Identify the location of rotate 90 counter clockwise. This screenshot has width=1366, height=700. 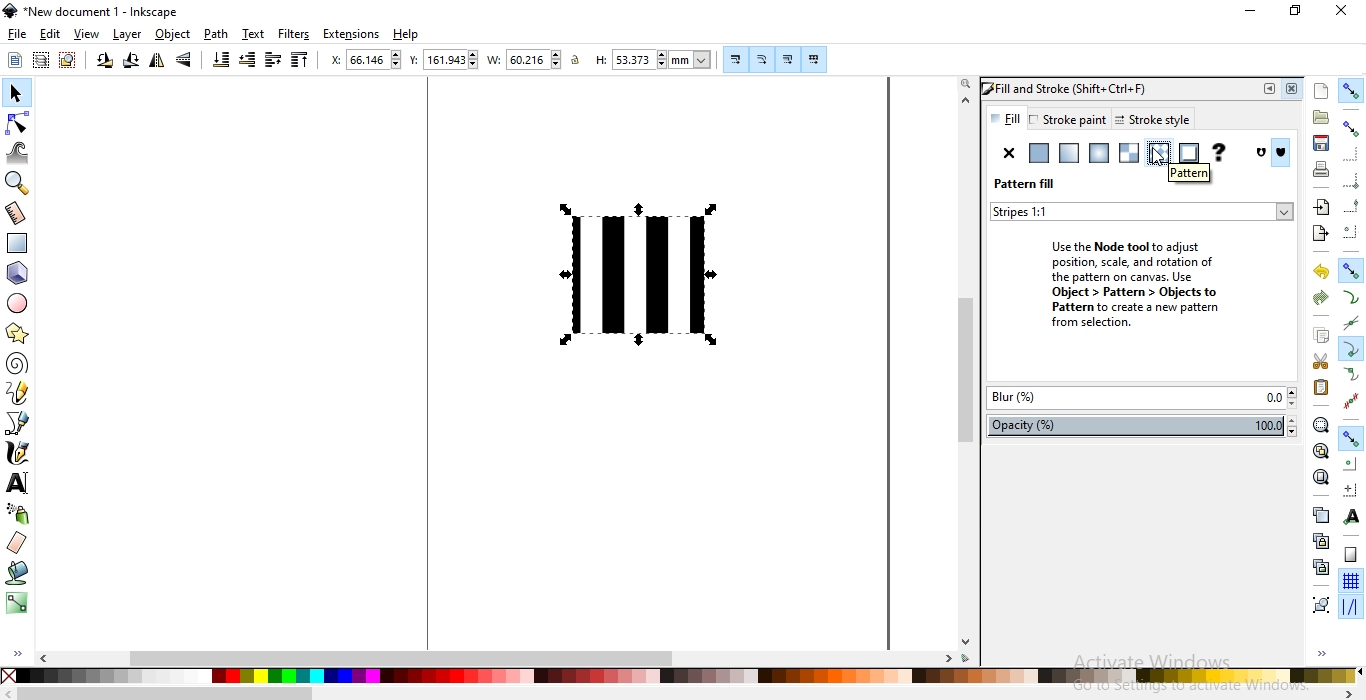
(103, 62).